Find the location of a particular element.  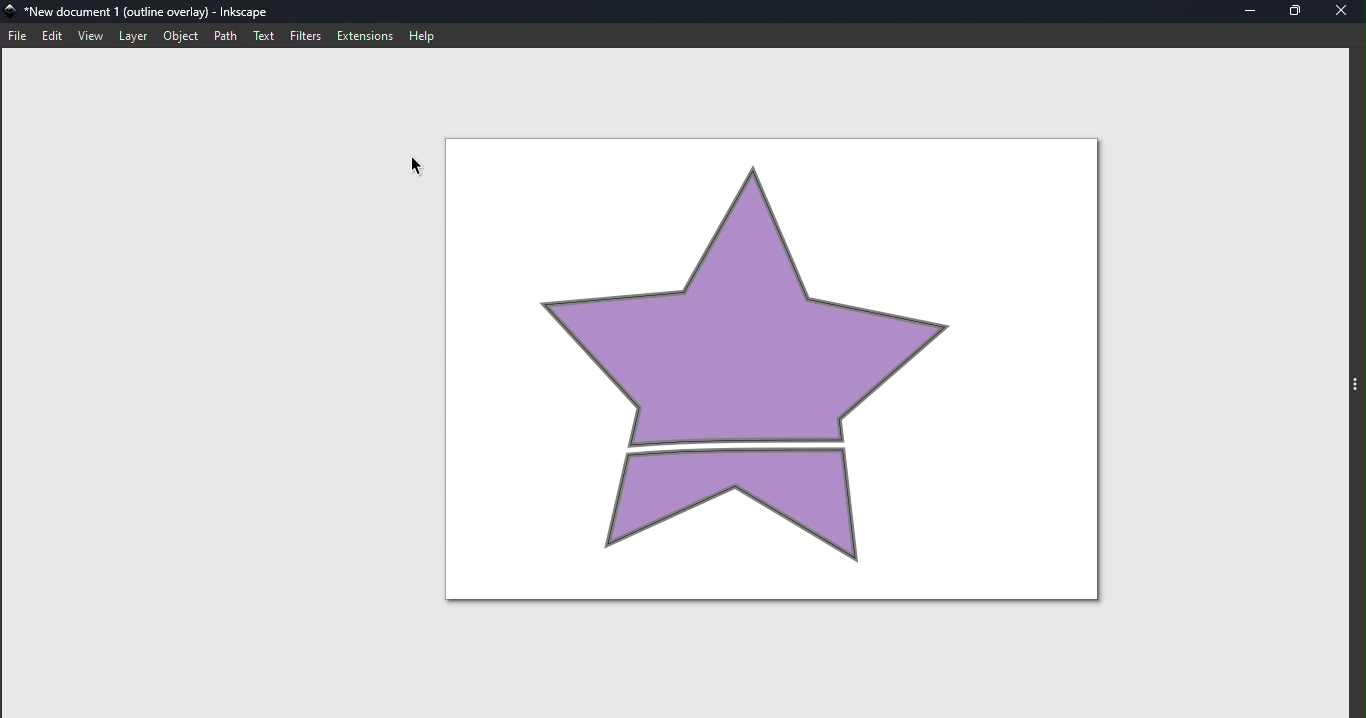

Filters is located at coordinates (307, 34).